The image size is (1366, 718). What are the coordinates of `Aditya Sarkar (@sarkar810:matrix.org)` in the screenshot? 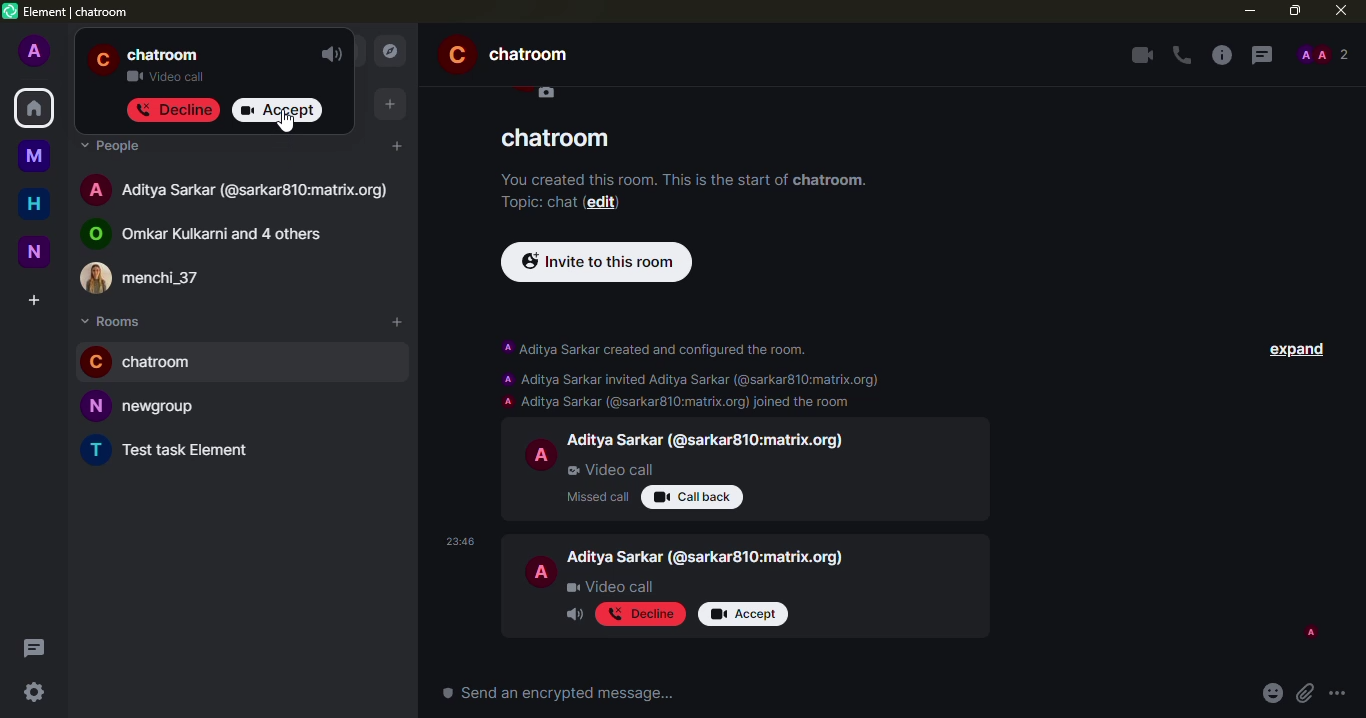 It's located at (707, 442).